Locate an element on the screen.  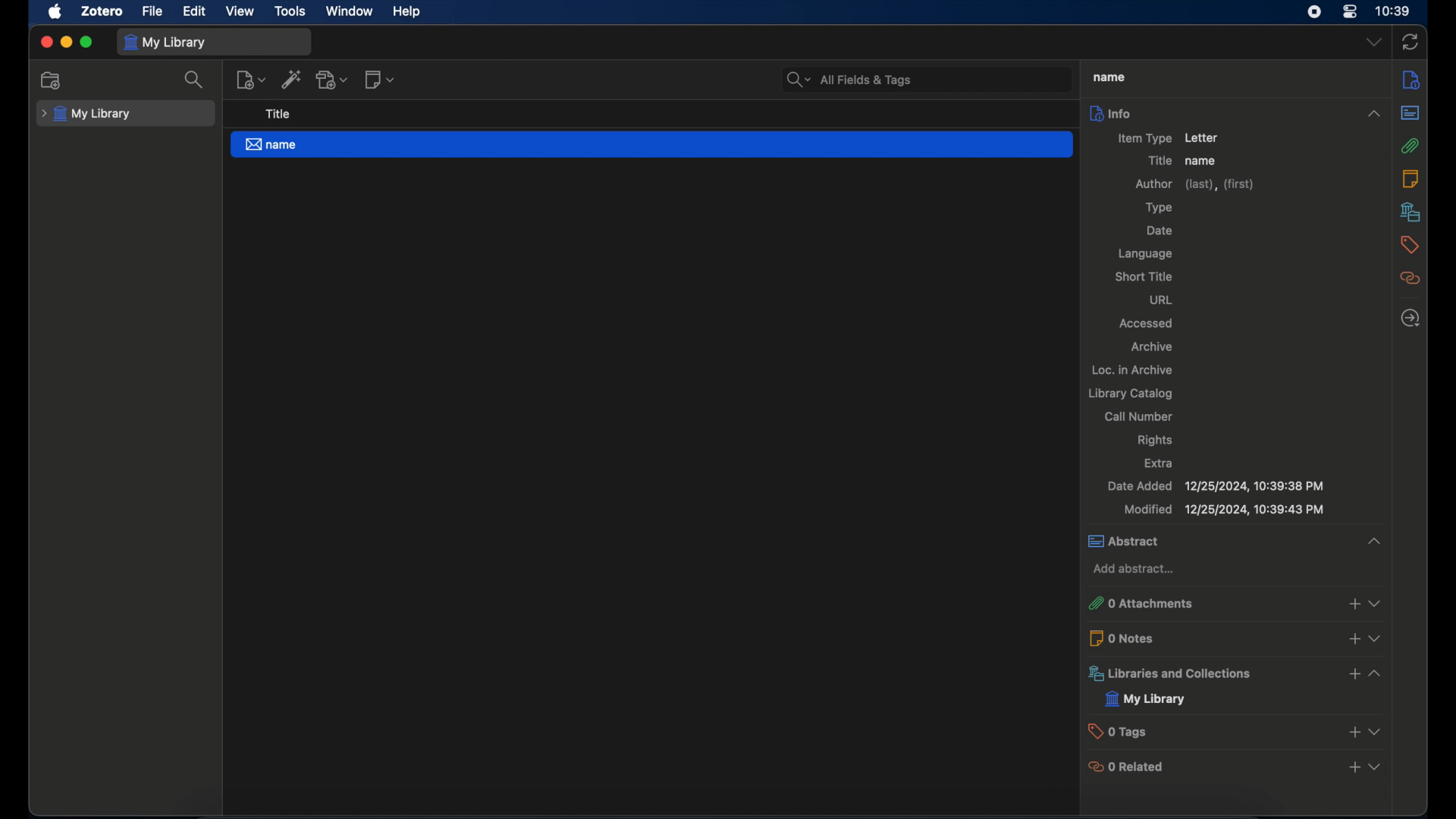
maximize is located at coordinates (87, 42).